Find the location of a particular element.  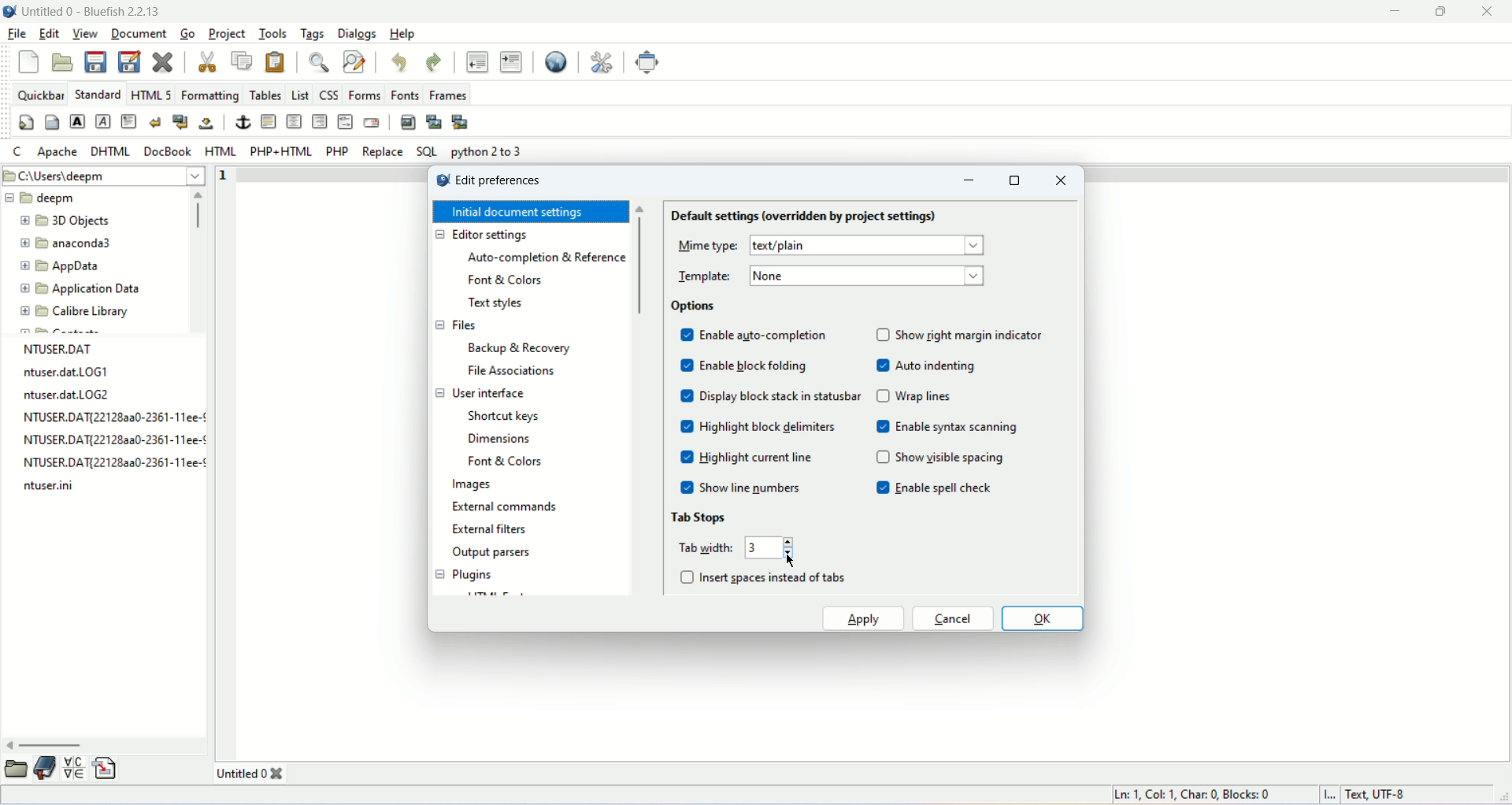

anaconda3 is located at coordinates (89, 243).